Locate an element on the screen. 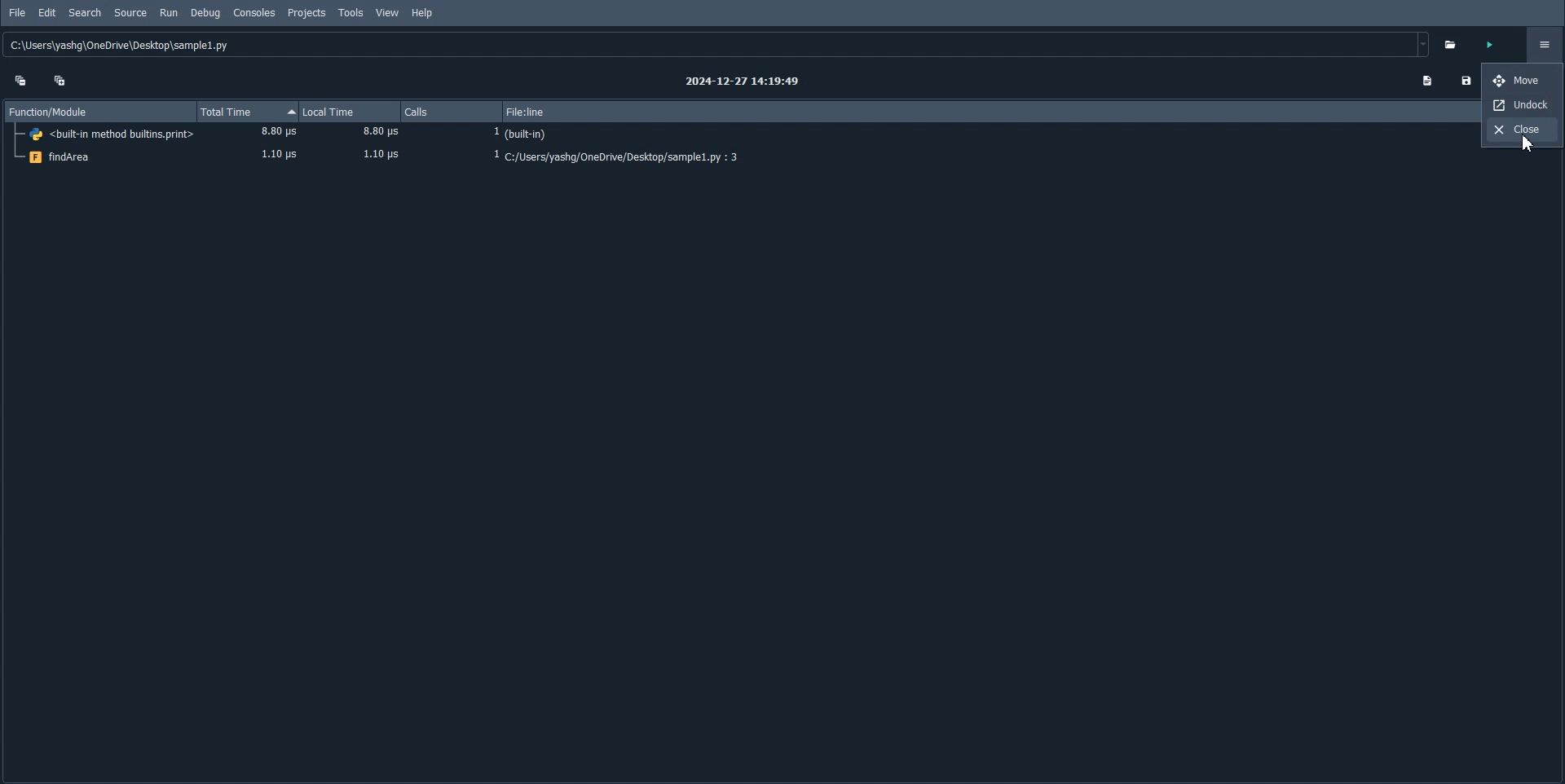 The height and width of the screenshot is (784, 1565). Move is located at coordinates (1524, 81).